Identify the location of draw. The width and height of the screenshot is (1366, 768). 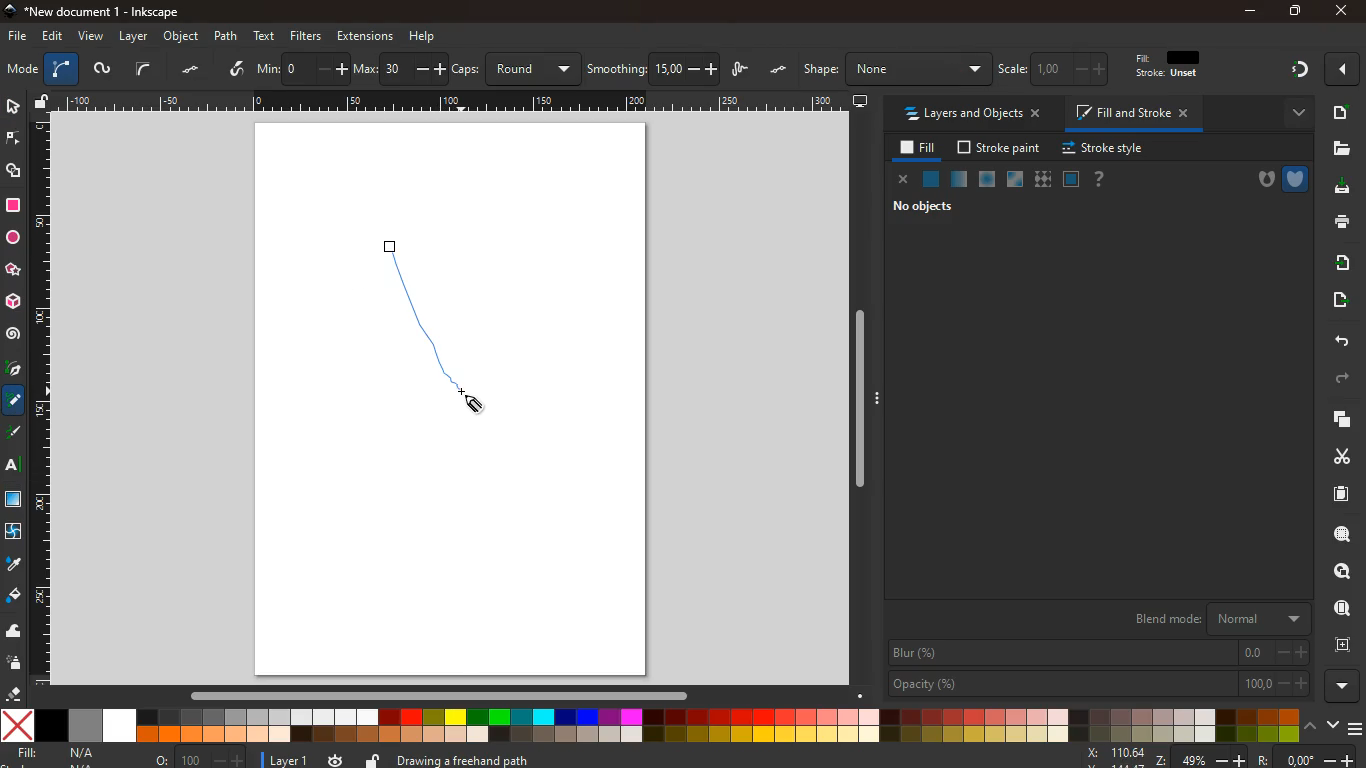
(447, 336).